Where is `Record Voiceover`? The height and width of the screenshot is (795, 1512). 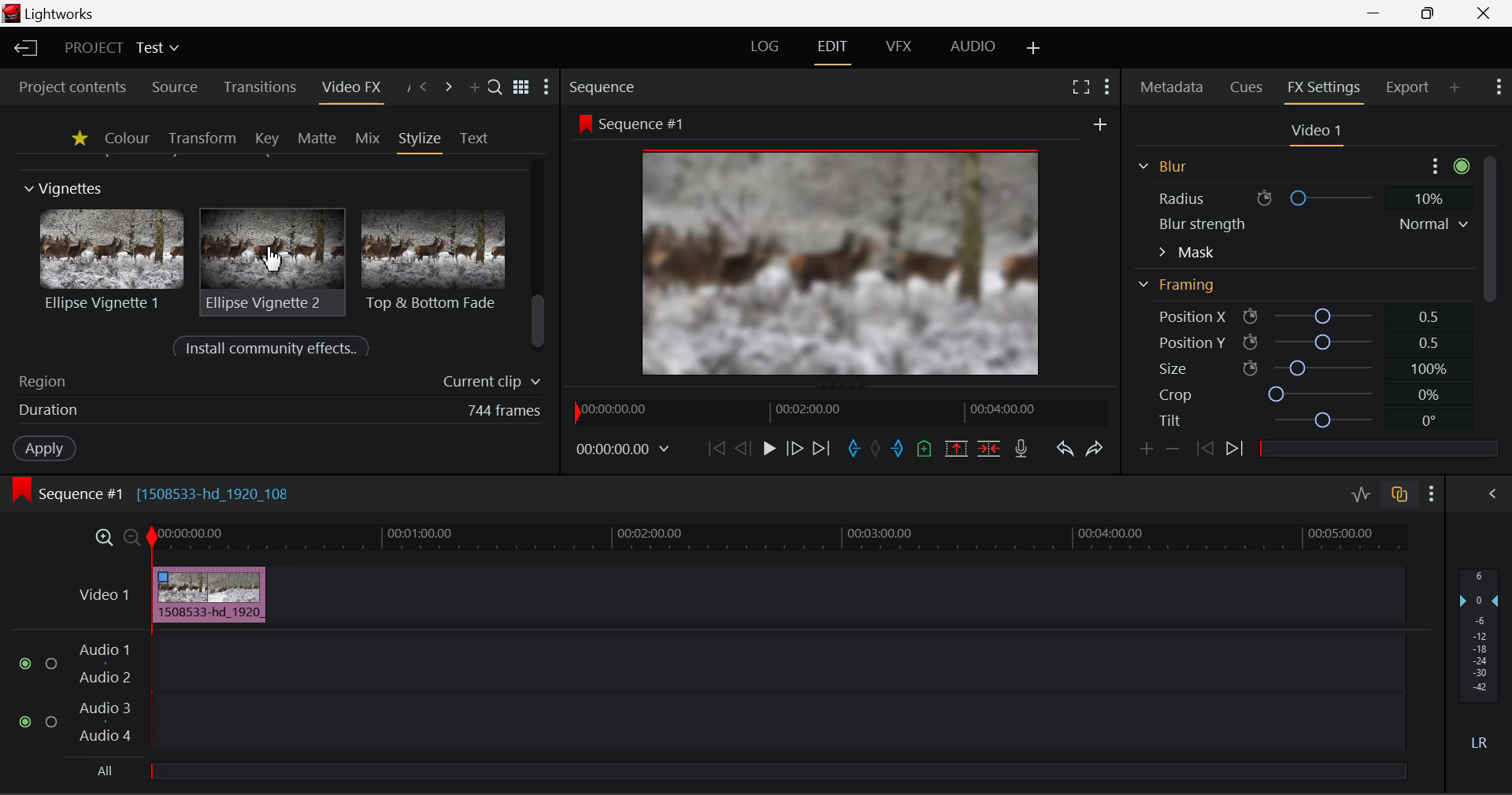 Record Voiceover is located at coordinates (1022, 447).